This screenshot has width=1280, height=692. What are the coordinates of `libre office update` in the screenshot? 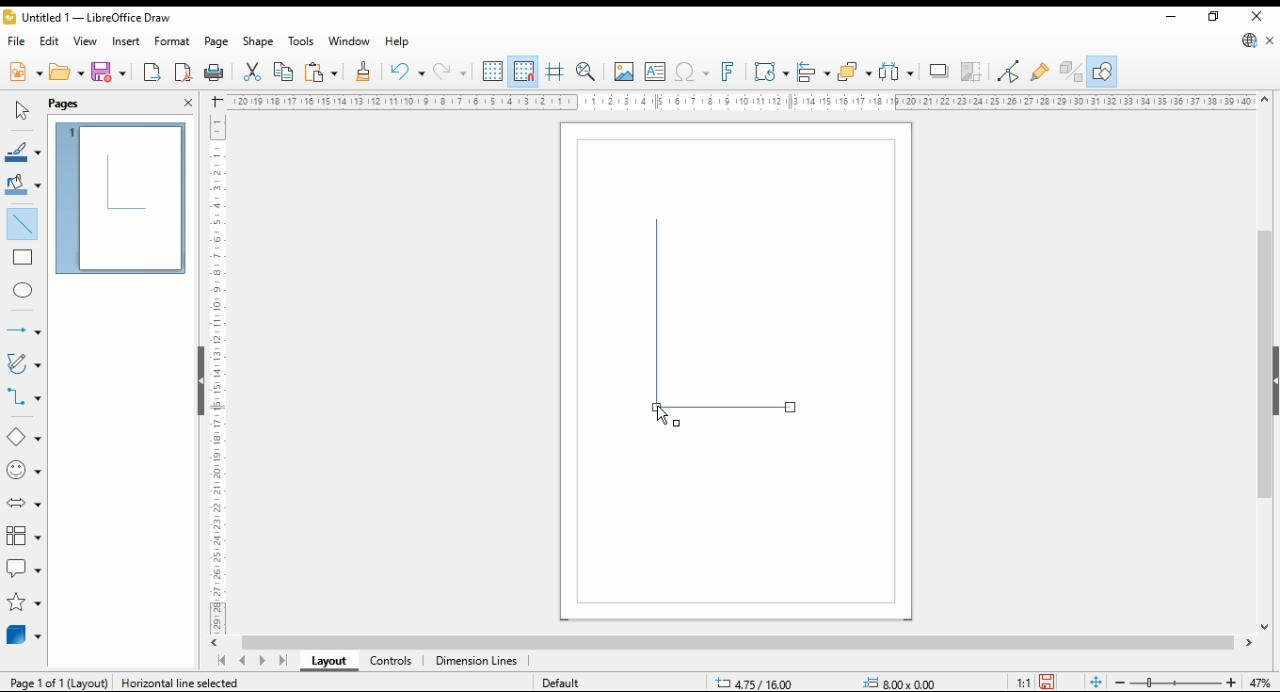 It's located at (1250, 42).